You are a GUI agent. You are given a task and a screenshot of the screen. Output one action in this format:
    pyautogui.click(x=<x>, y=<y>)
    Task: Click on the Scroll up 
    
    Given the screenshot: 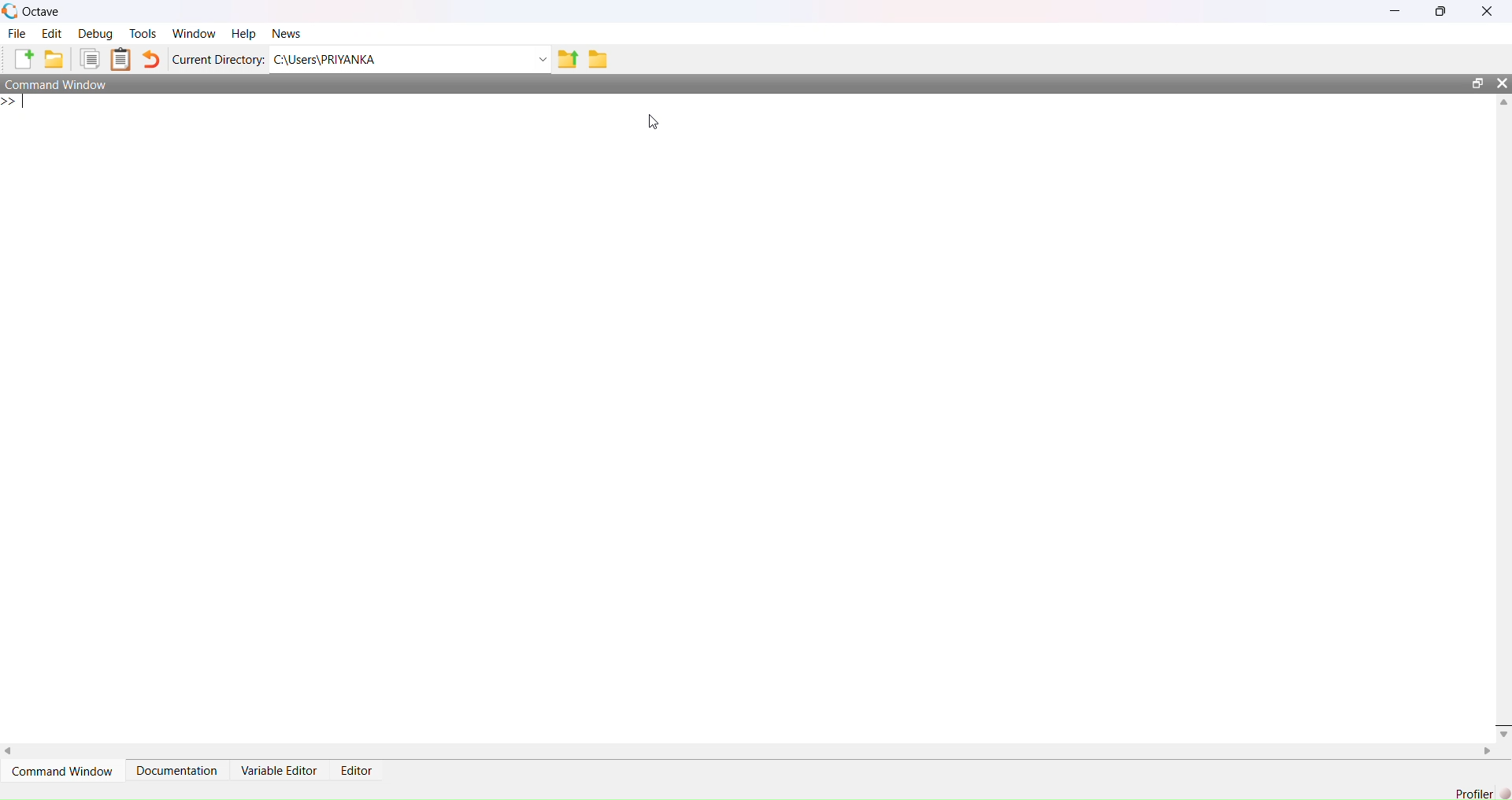 What is the action you would take?
    pyautogui.click(x=1503, y=105)
    